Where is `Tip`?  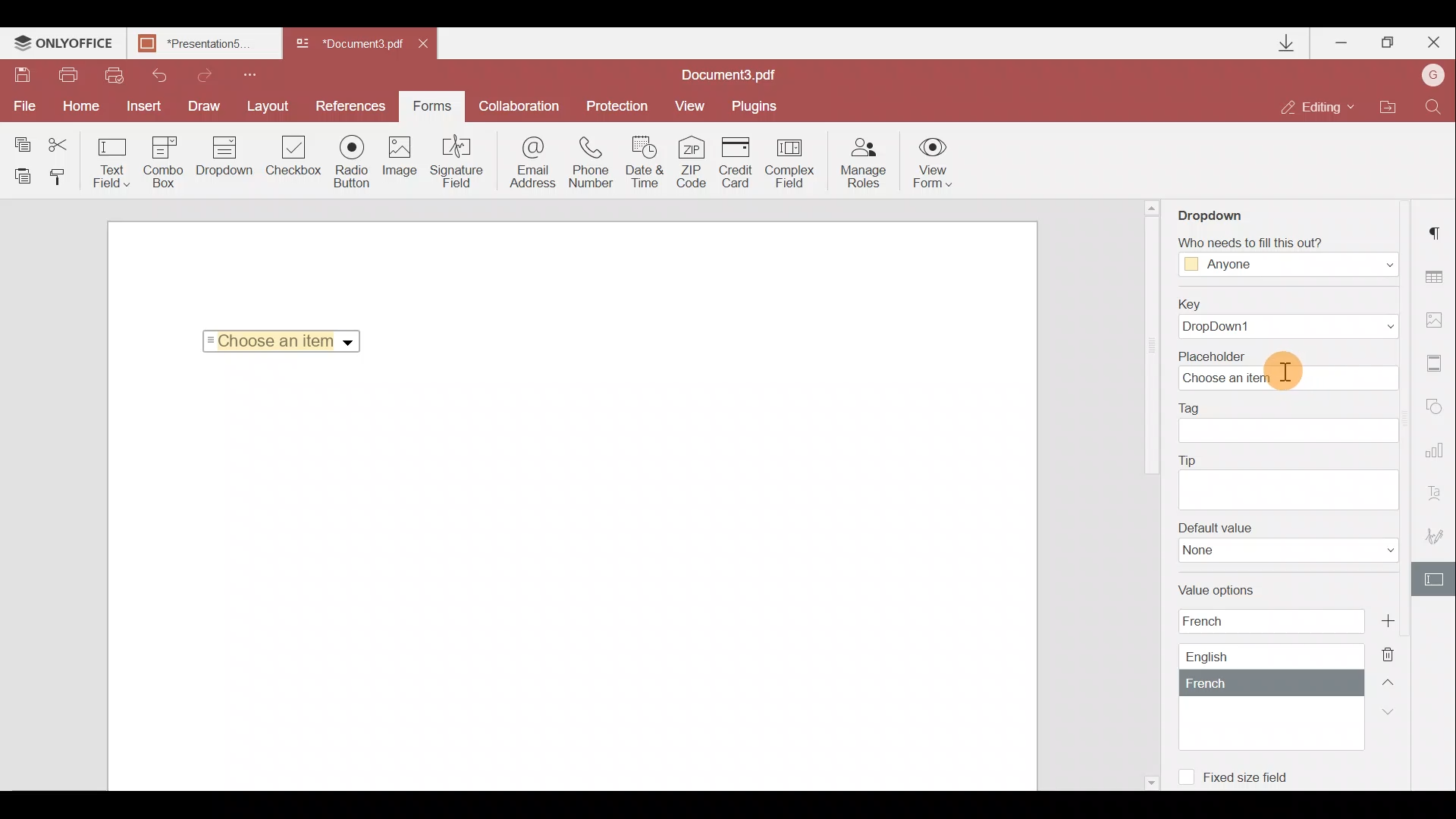
Tip is located at coordinates (1288, 480).